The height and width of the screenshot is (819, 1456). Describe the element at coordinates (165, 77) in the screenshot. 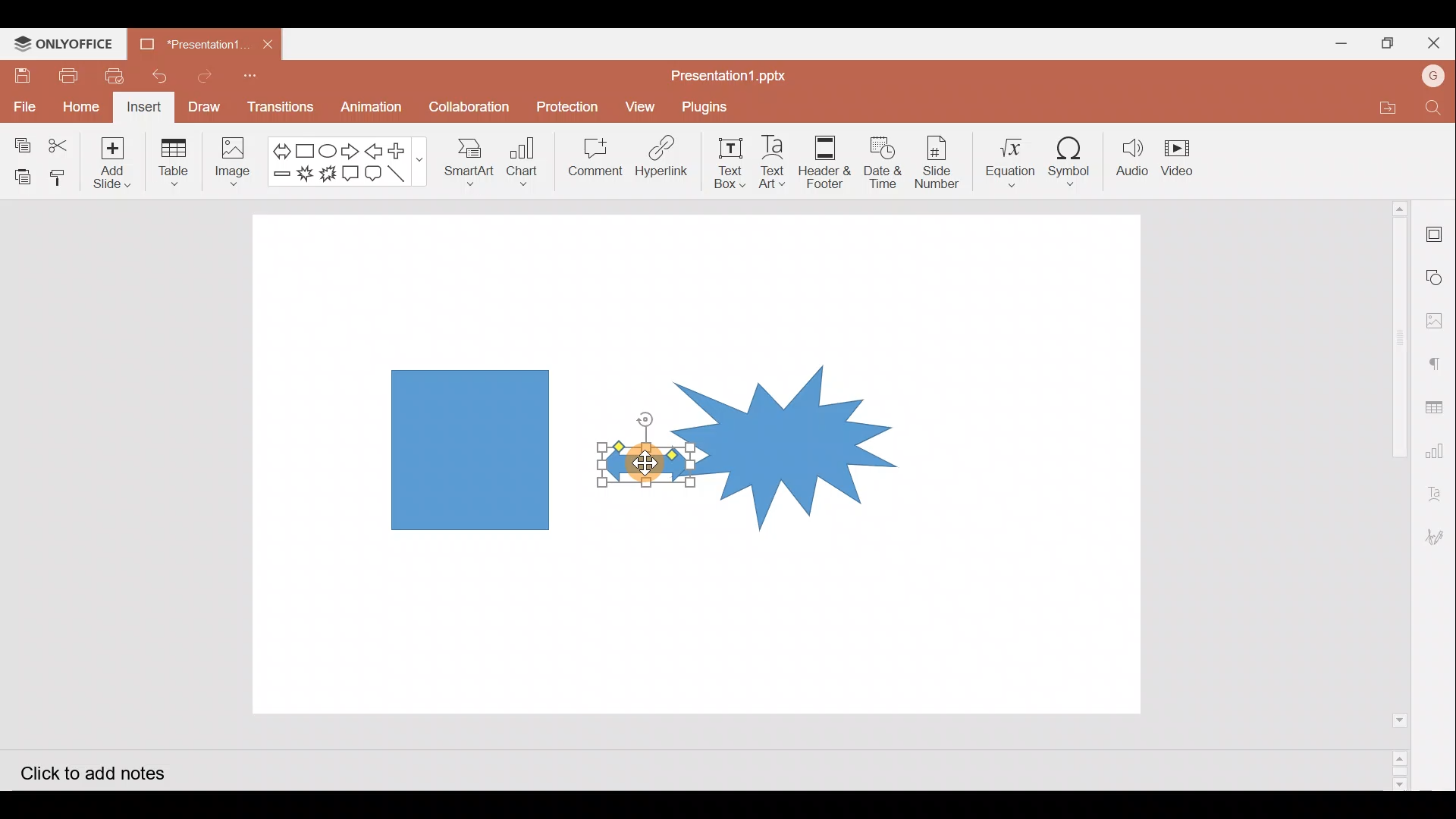

I see `Undo` at that location.